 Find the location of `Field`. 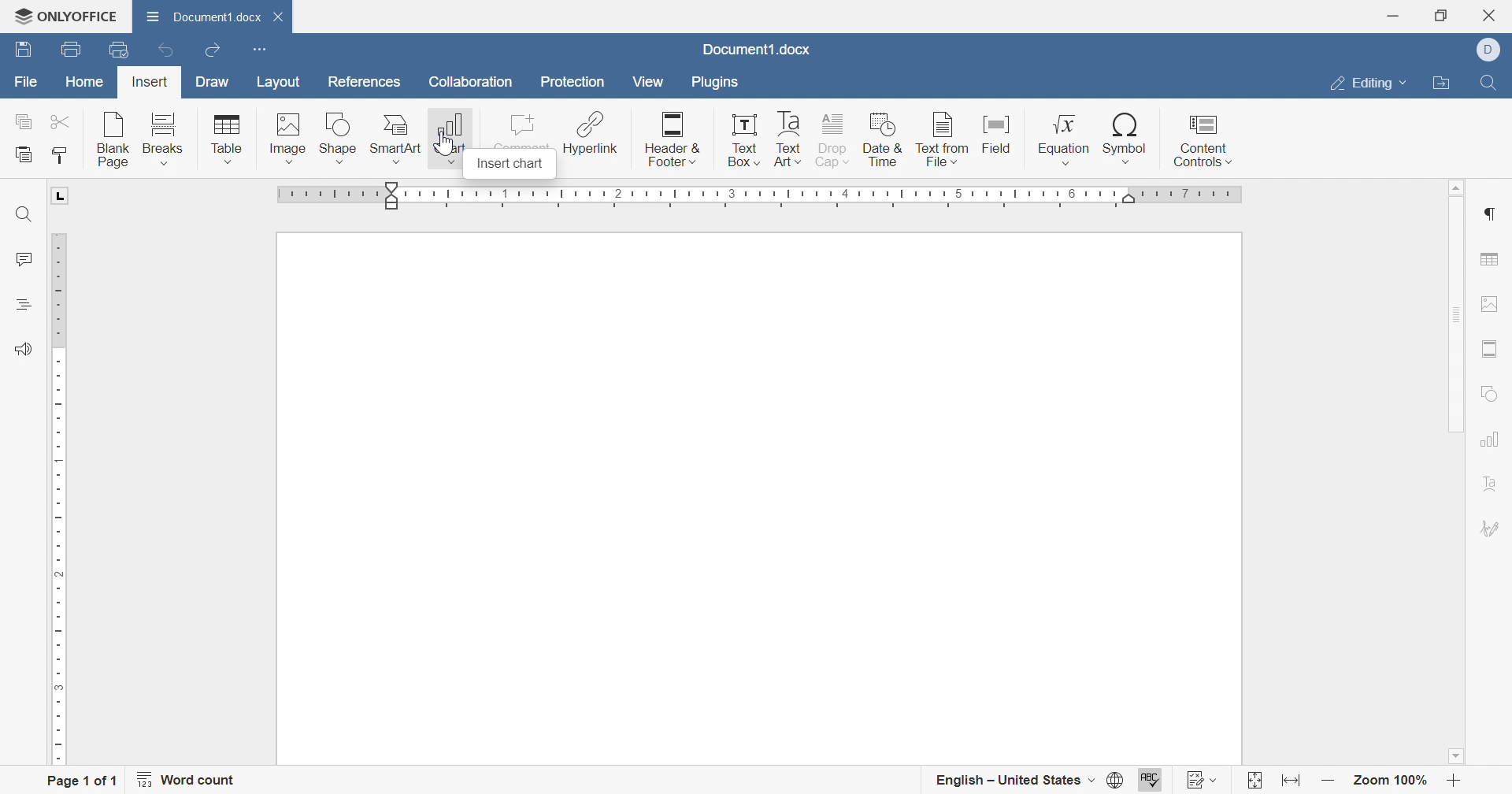

Field is located at coordinates (1000, 132).